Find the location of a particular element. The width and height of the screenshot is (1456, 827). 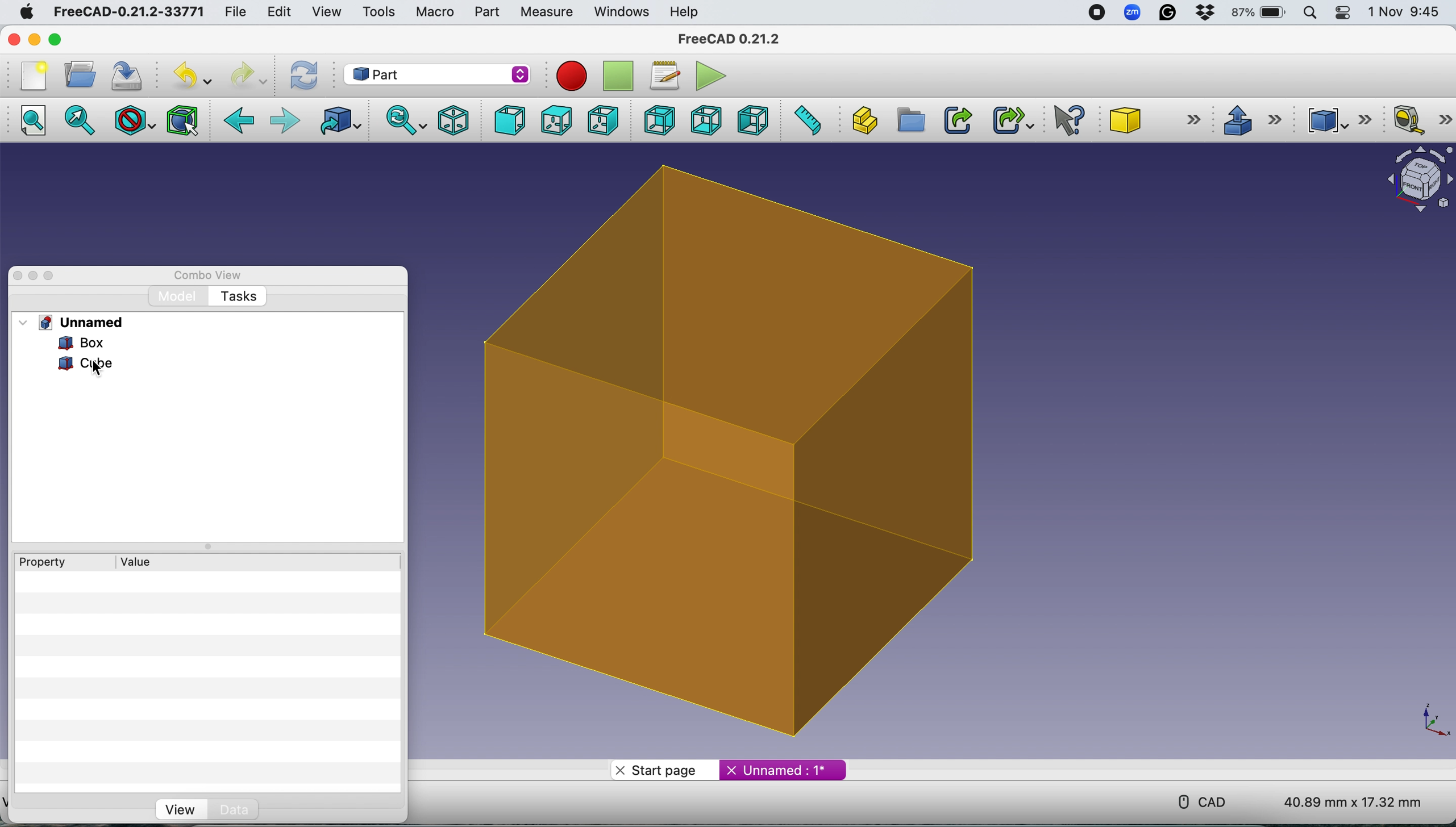

cursor is located at coordinates (99, 369).